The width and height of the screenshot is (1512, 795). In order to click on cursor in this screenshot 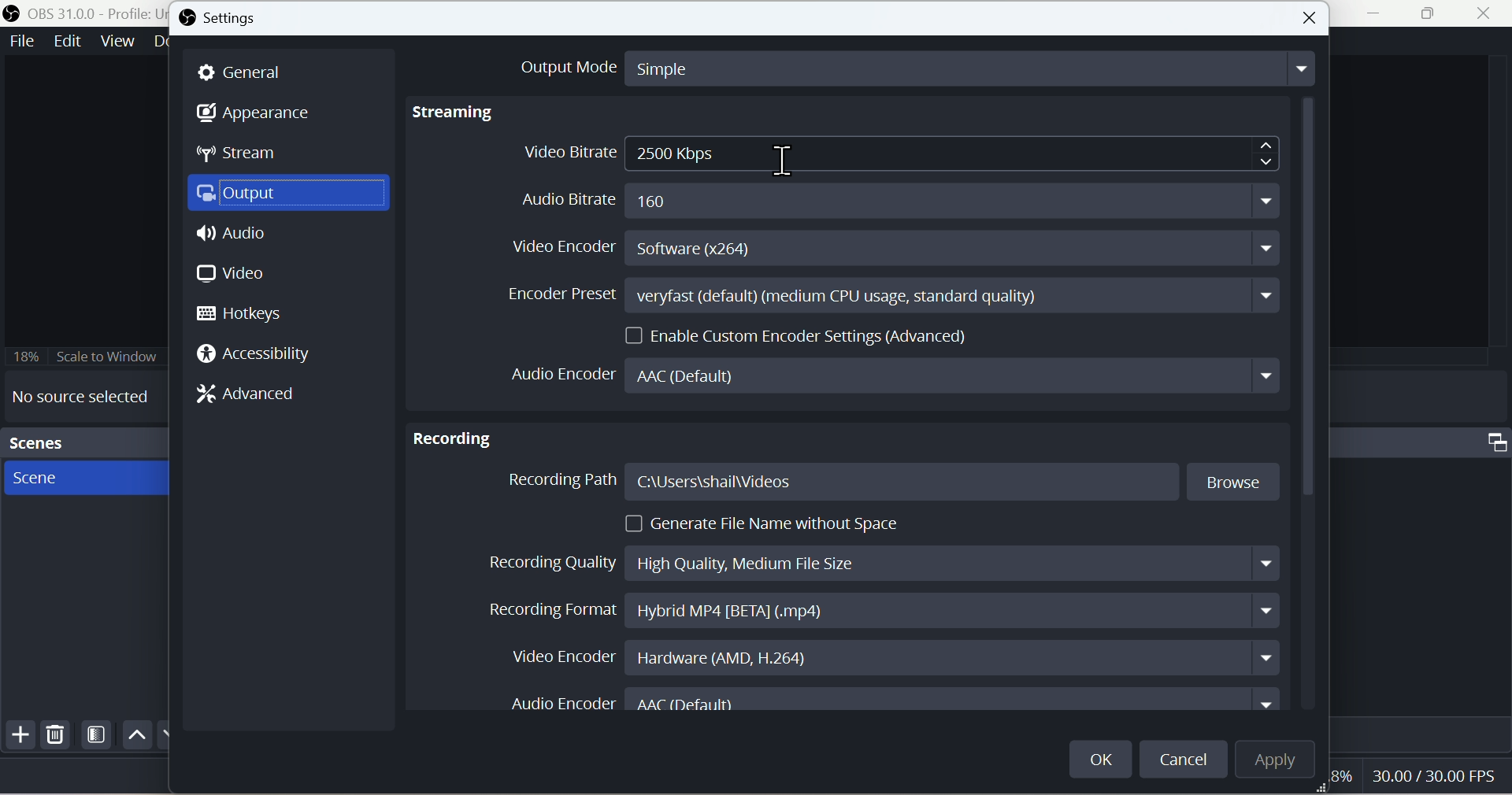, I will do `click(790, 161)`.